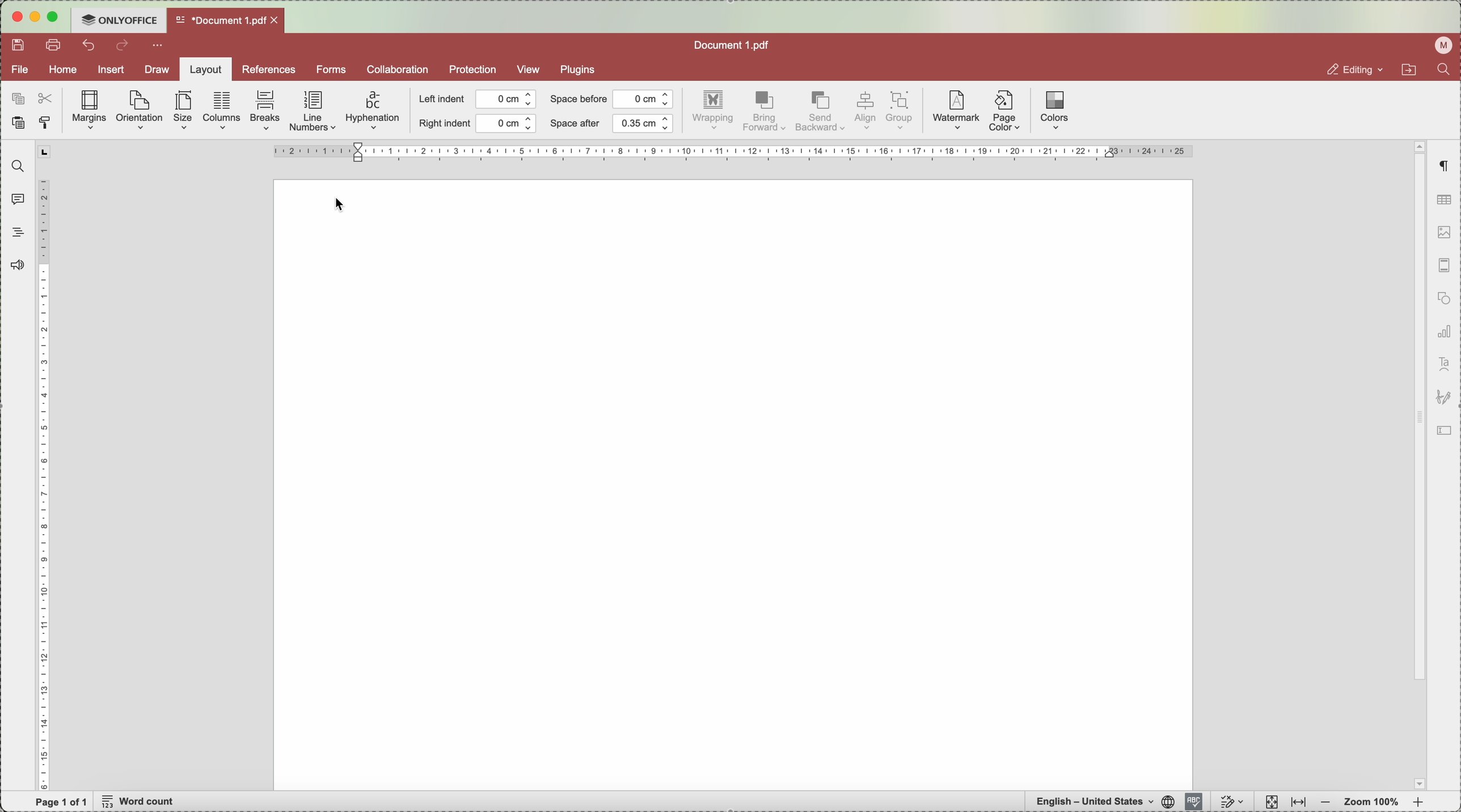  Describe the element at coordinates (1298, 803) in the screenshot. I see `fit to wight` at that location.